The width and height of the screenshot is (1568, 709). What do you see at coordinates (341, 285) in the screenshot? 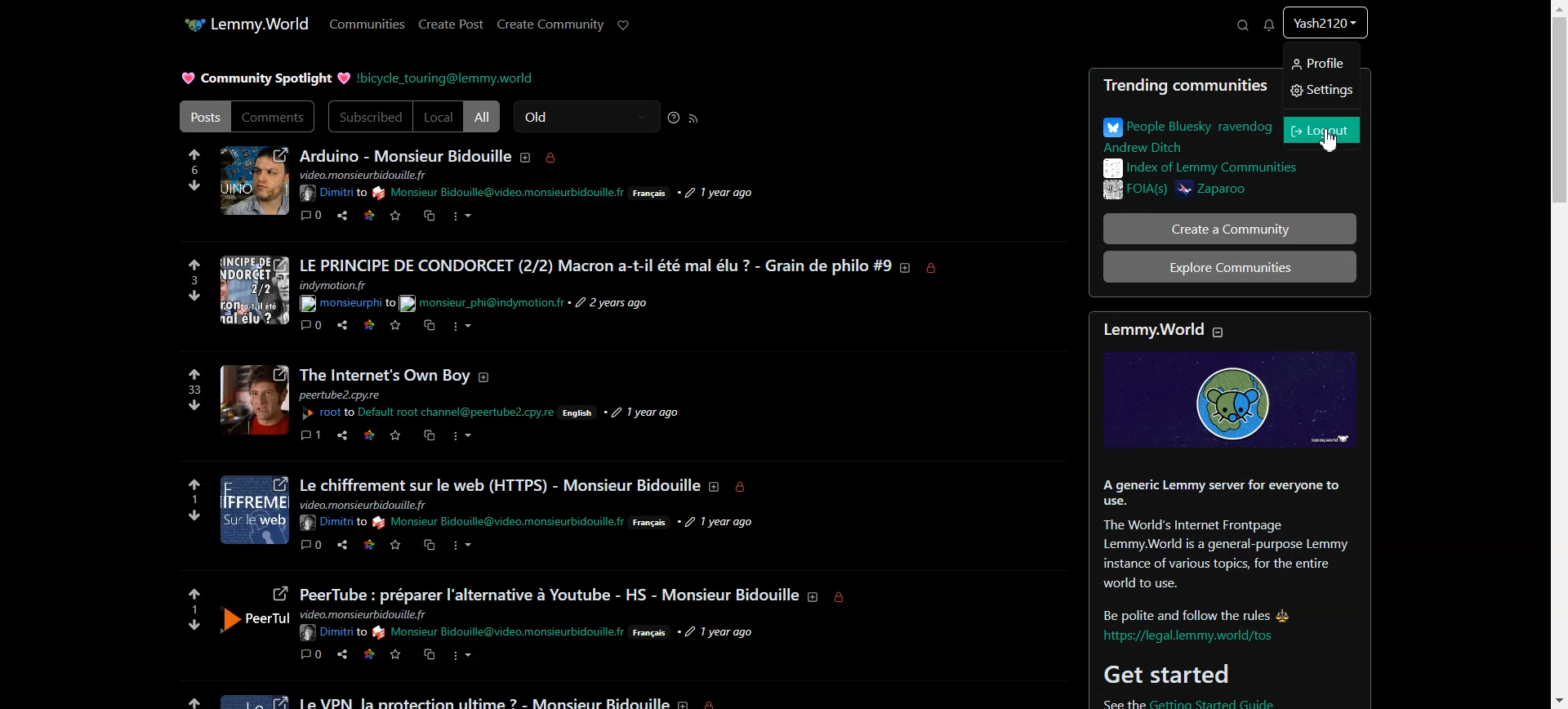
I see `text` at bounding box center [341, 285].